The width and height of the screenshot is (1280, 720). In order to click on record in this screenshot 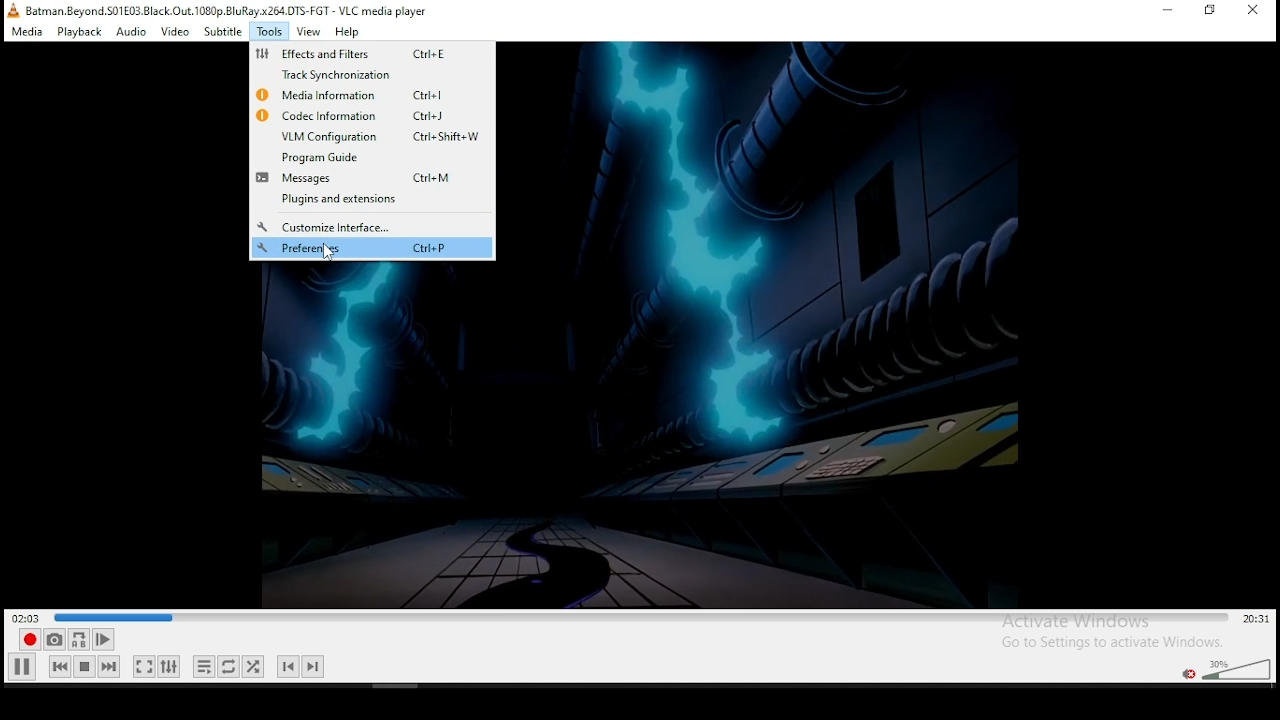, I will do `click(27, 640)`.